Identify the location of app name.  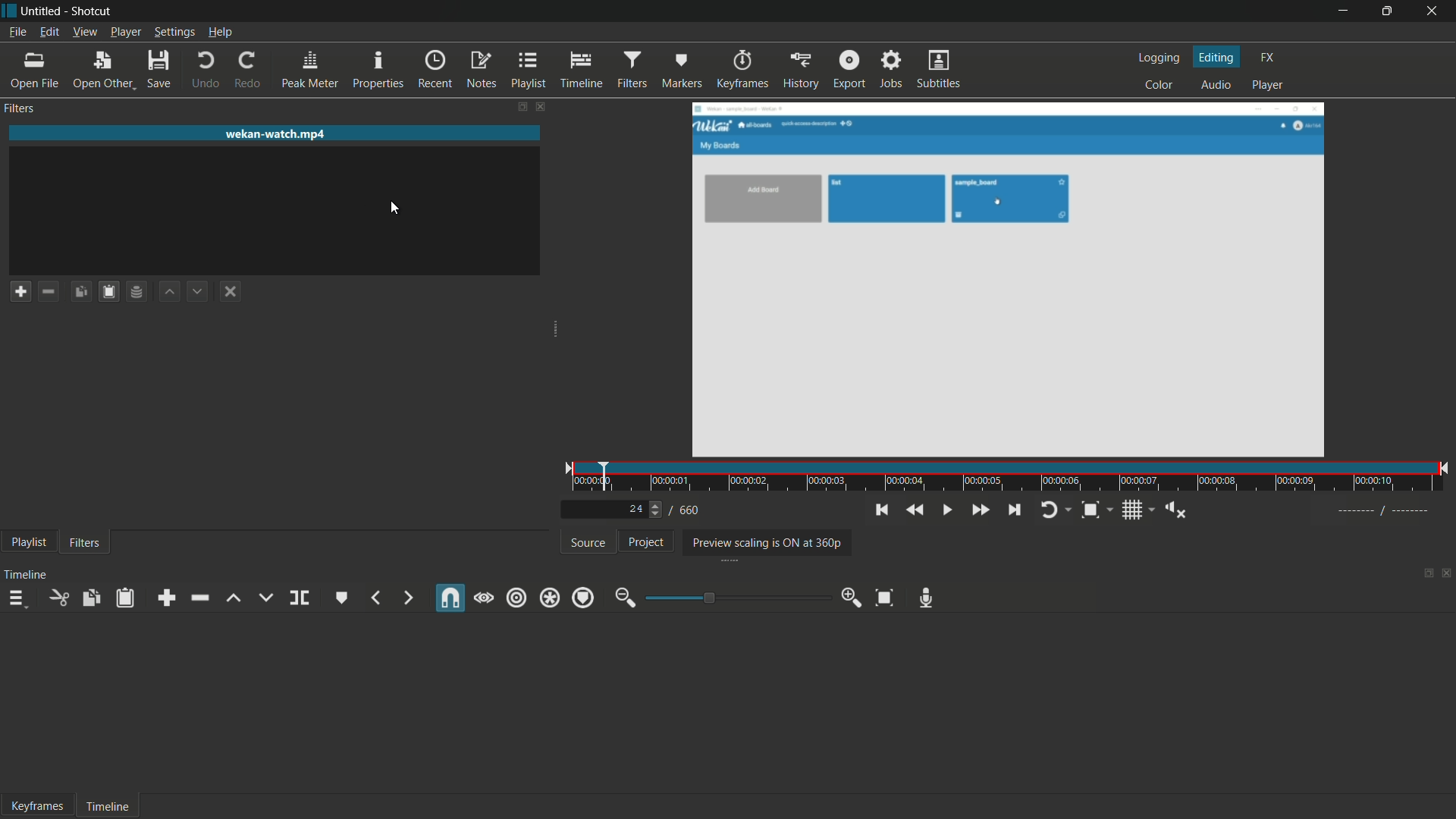
(94, 11).